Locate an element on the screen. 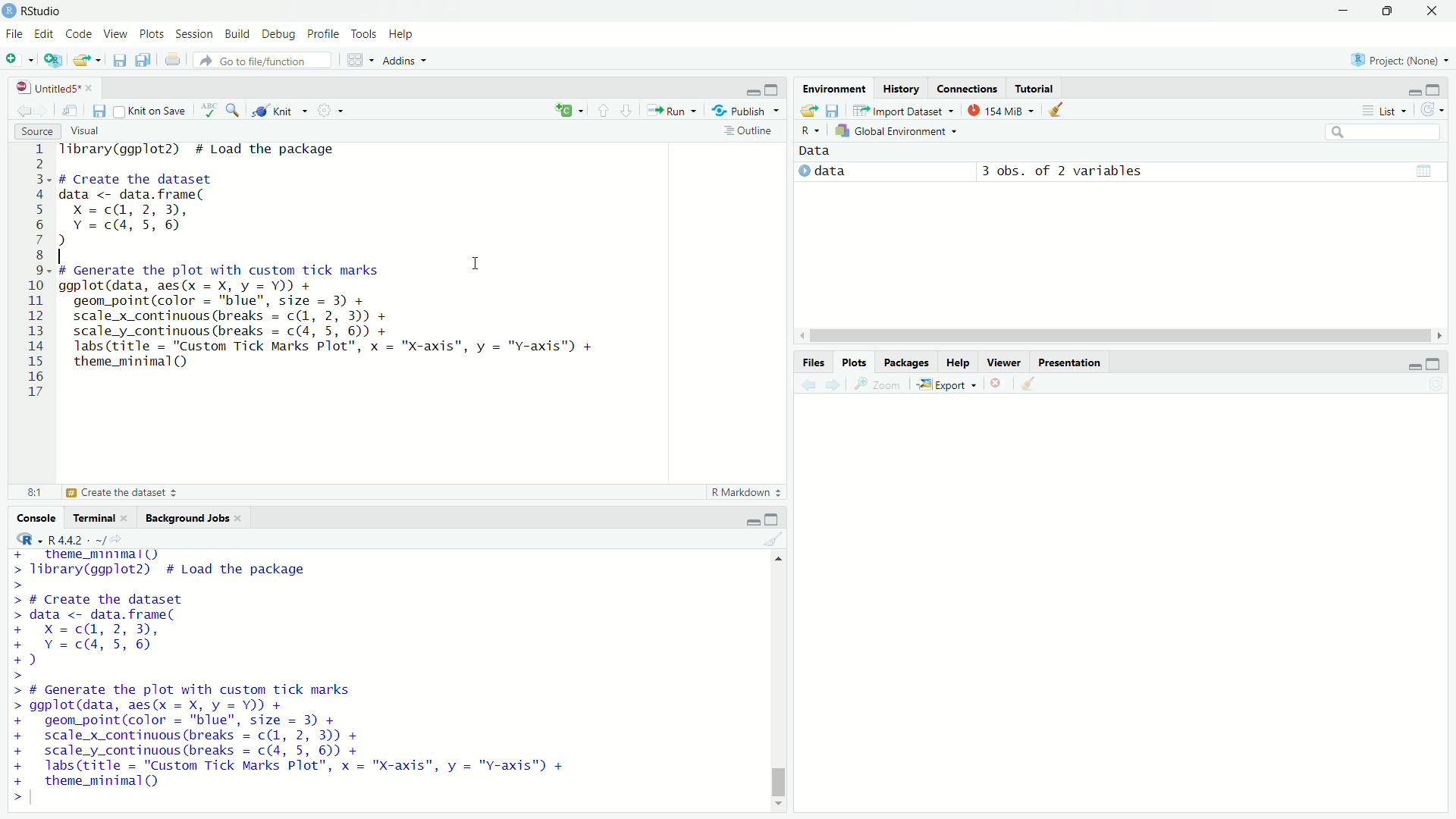 The height and width of the screenshot is (819, 1456). r markdown is located at coordinates (742, 491).